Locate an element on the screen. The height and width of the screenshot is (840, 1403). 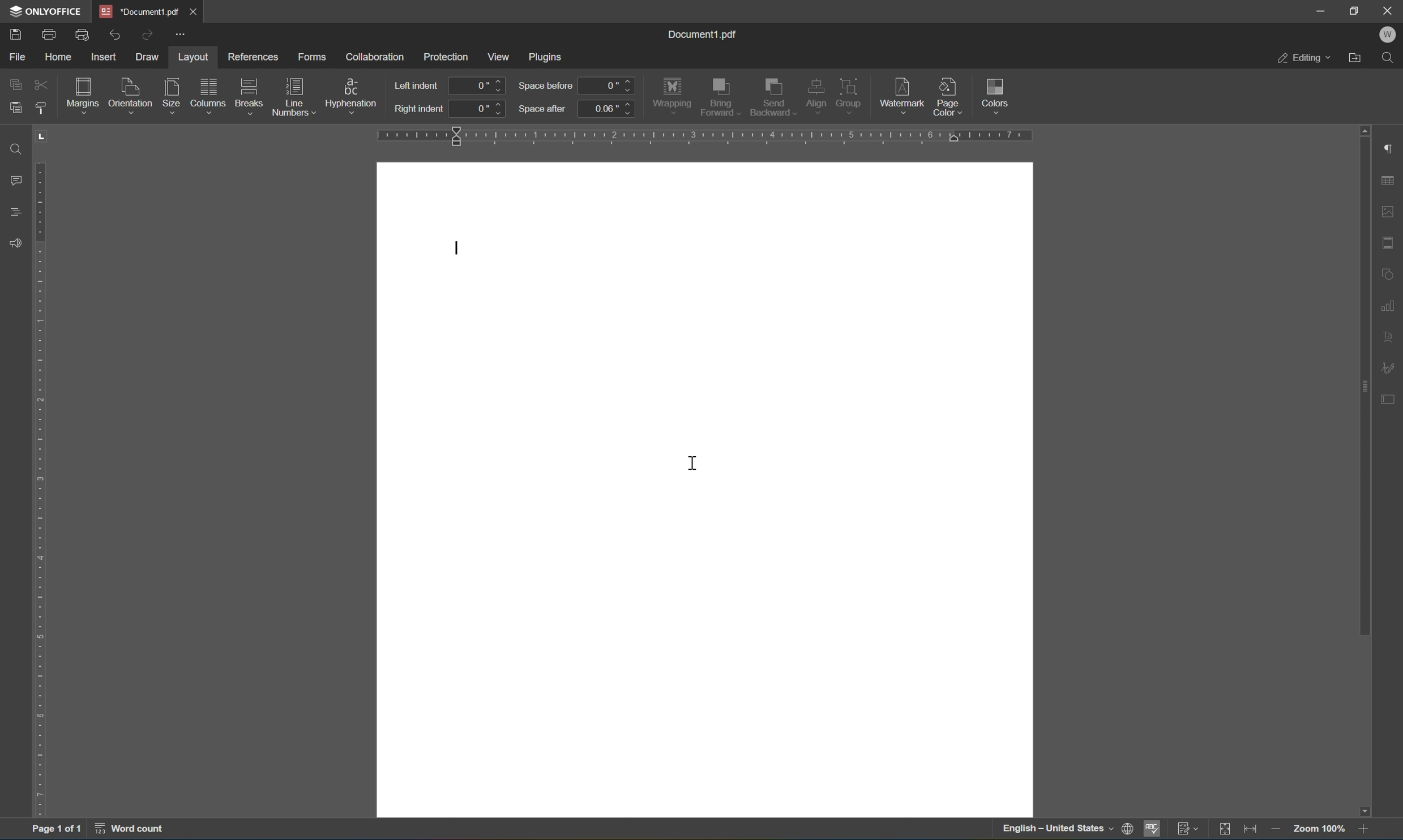
spell checking is located at coordinates (1152, 830).